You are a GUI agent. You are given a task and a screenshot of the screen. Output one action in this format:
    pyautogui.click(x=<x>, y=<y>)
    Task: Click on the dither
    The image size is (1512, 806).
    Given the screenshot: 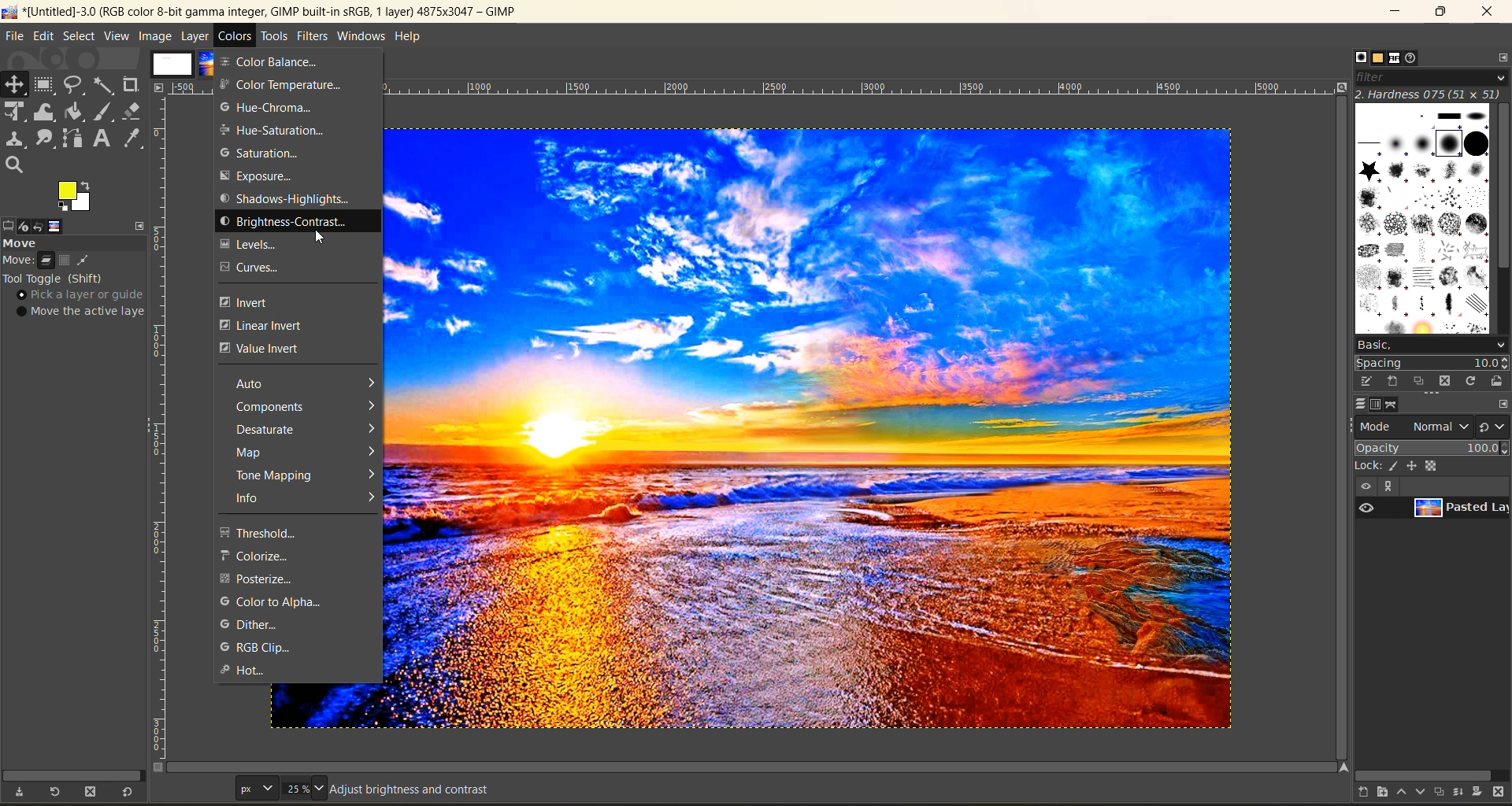 What is the action you would take?
    pyautogui.click(x=257, y=624)
    